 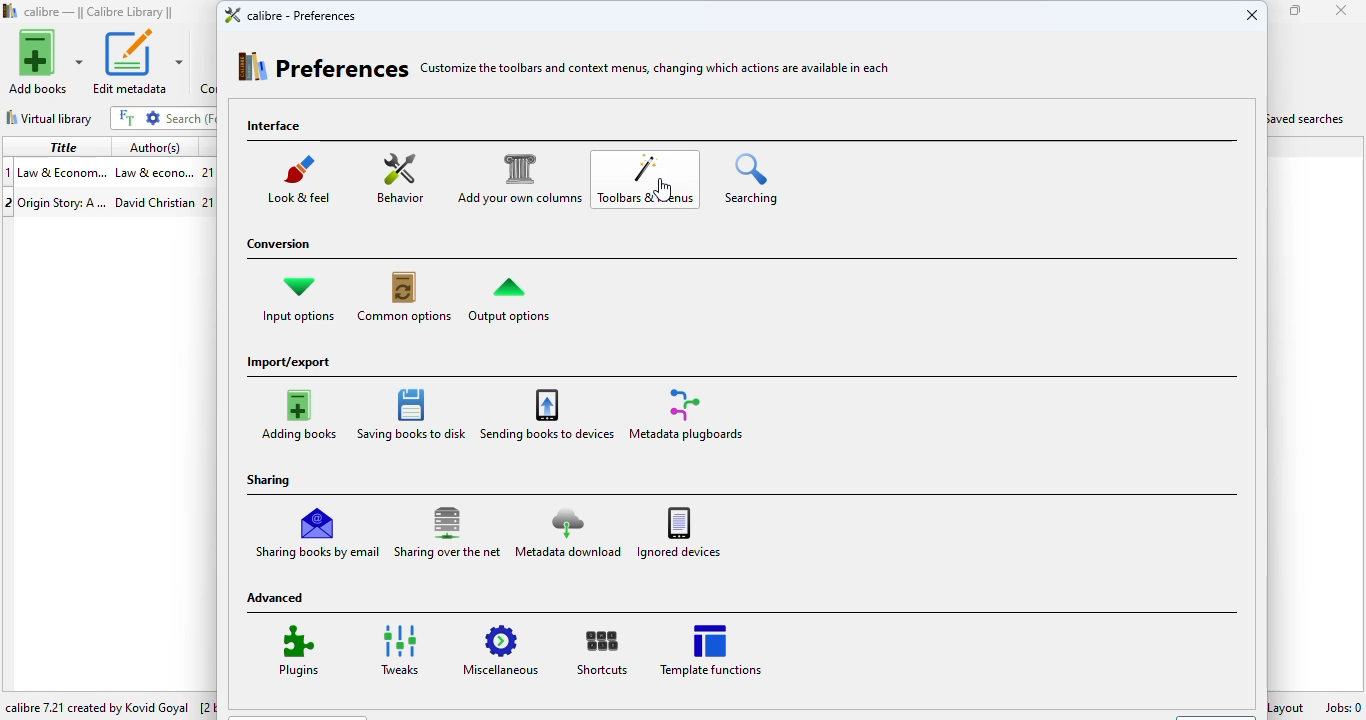 I want to click on search, so click(x=189, y=118).